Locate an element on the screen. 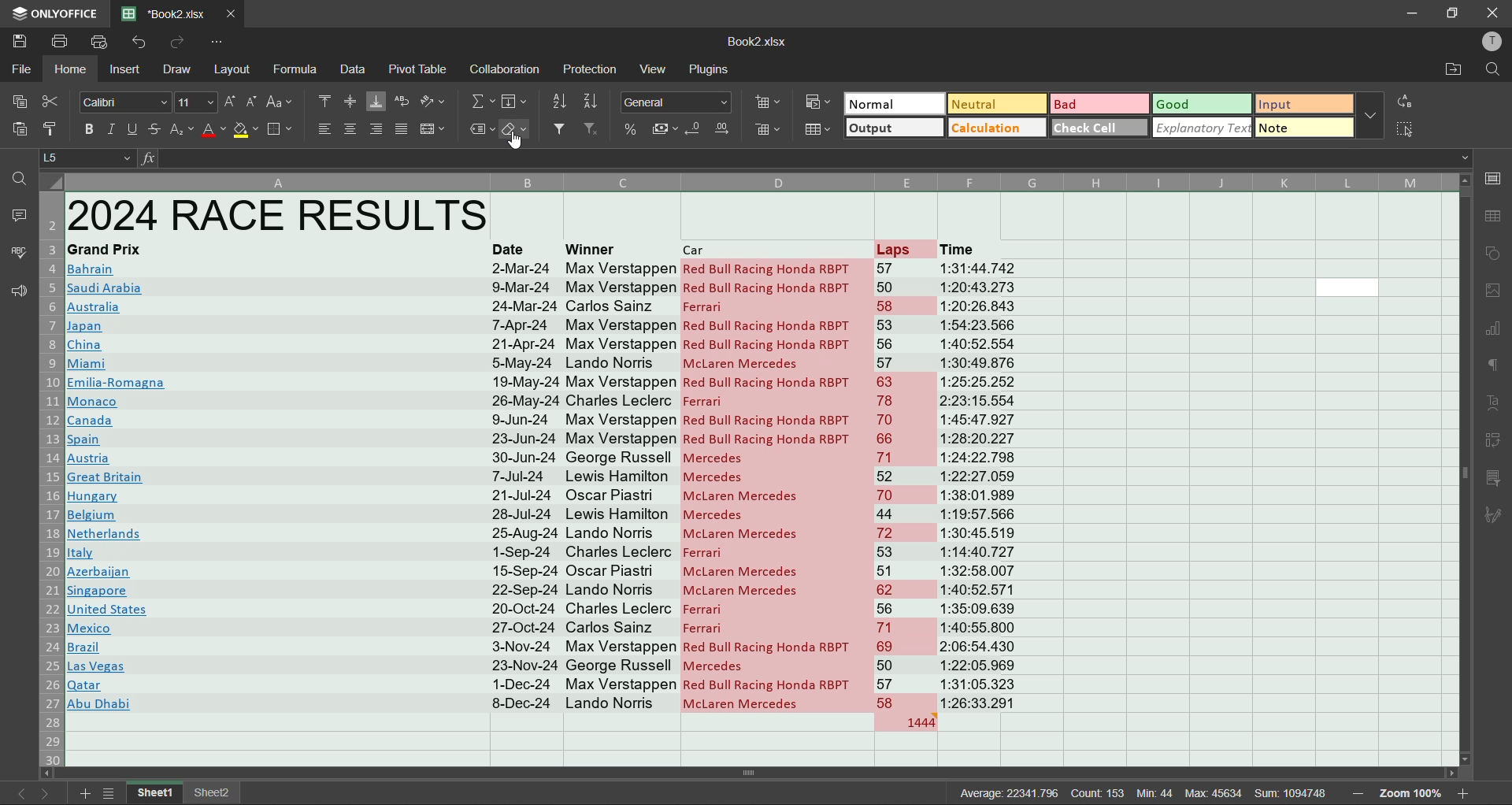  summation is located at coordinates (483, 103).